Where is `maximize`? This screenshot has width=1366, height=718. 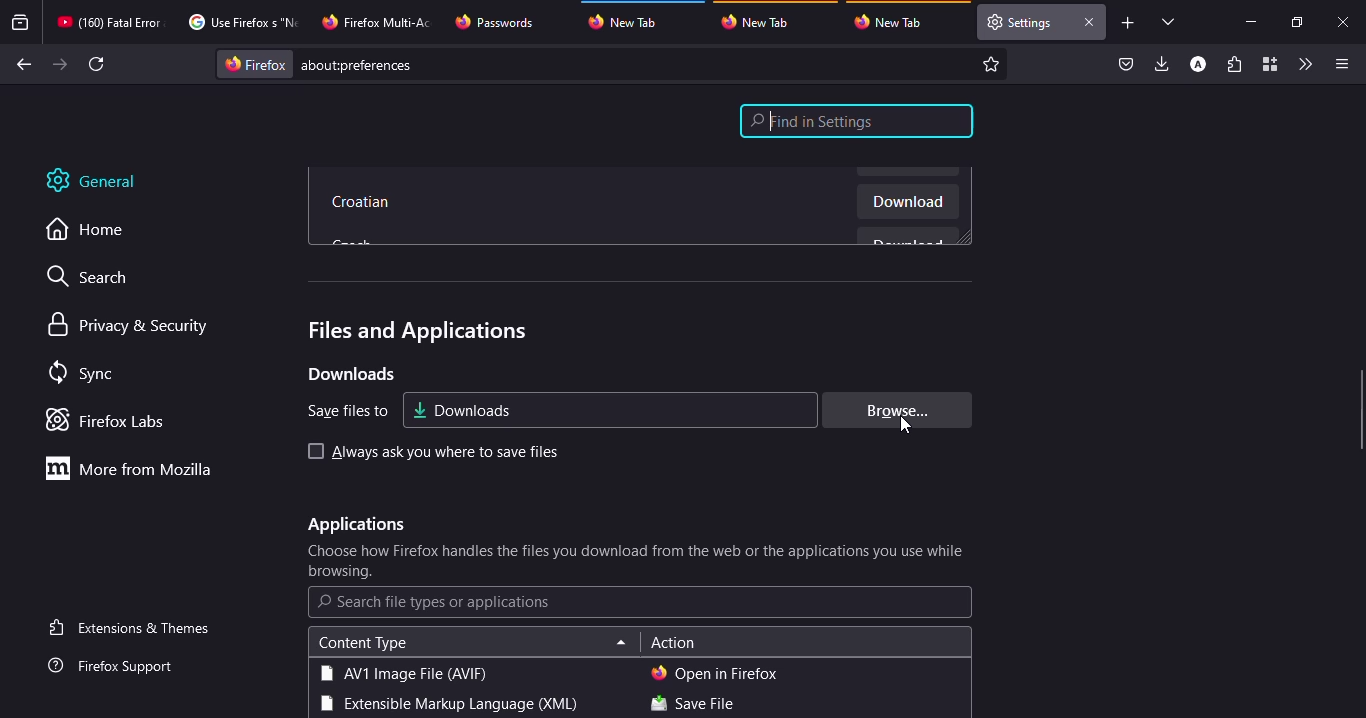
maximize is located at coordinates (1295, 22).